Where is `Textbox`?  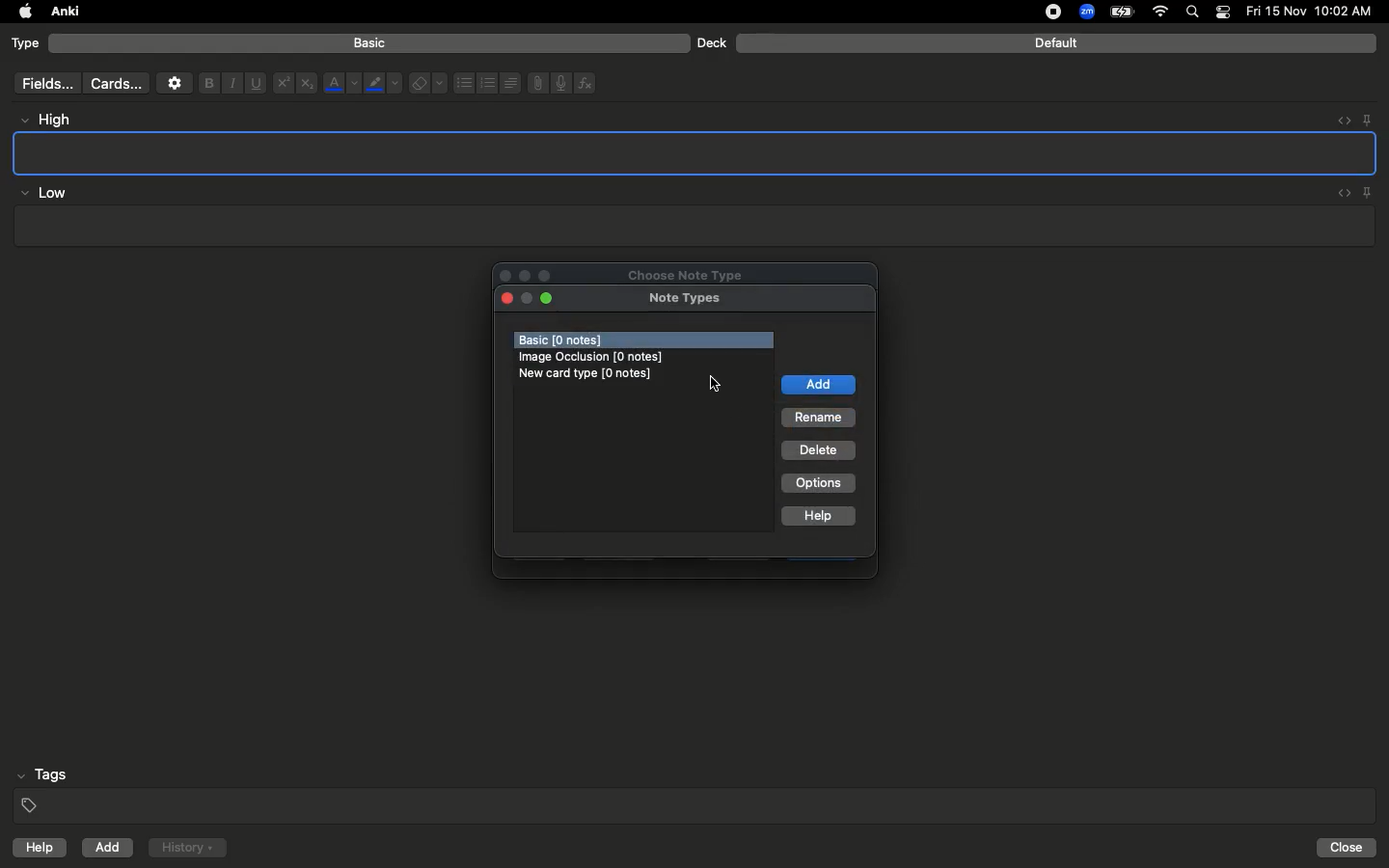 Textbox is located at coordinates (692, 227).